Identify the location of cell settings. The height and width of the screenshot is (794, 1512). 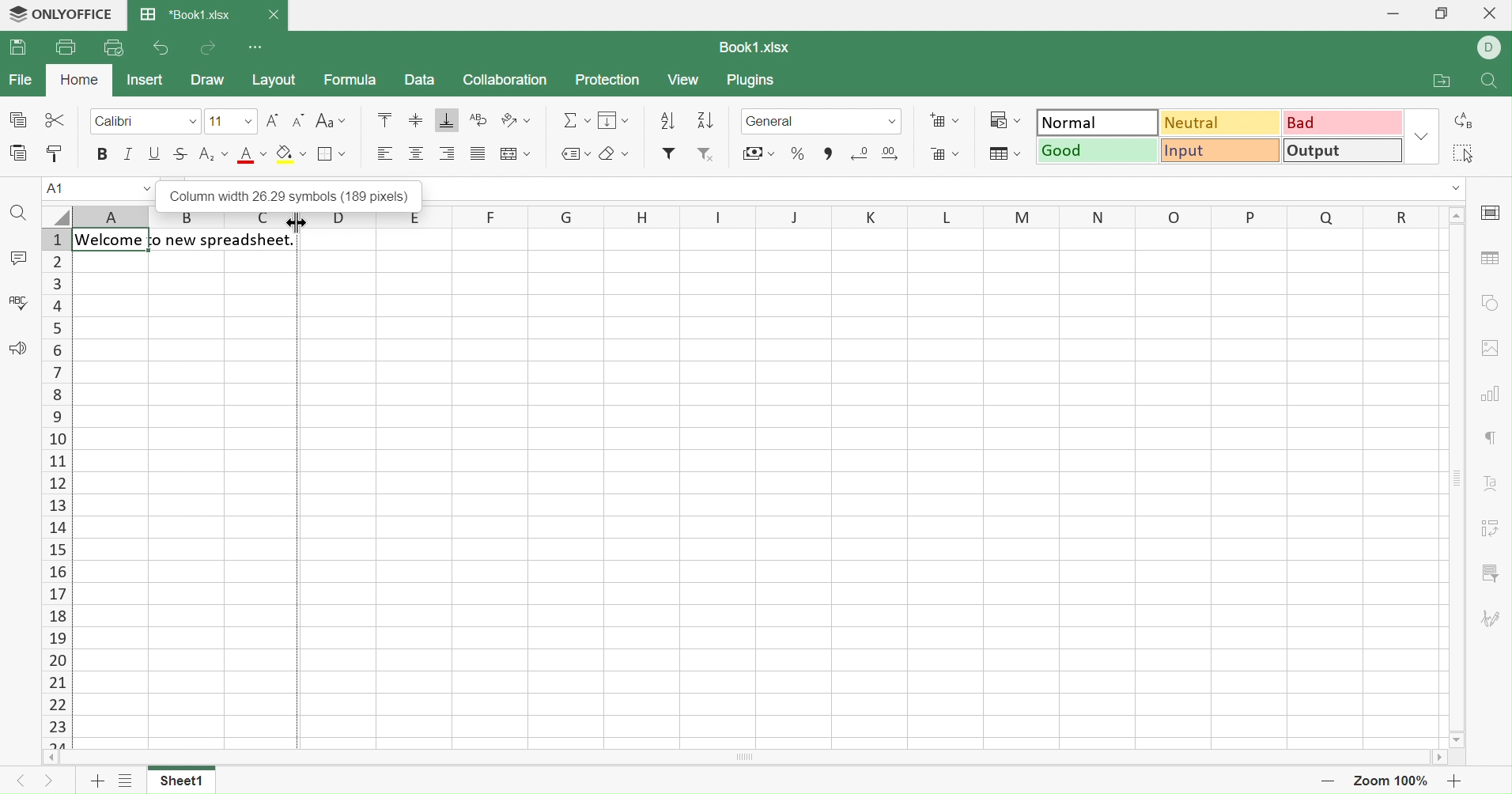
(1495, 214).